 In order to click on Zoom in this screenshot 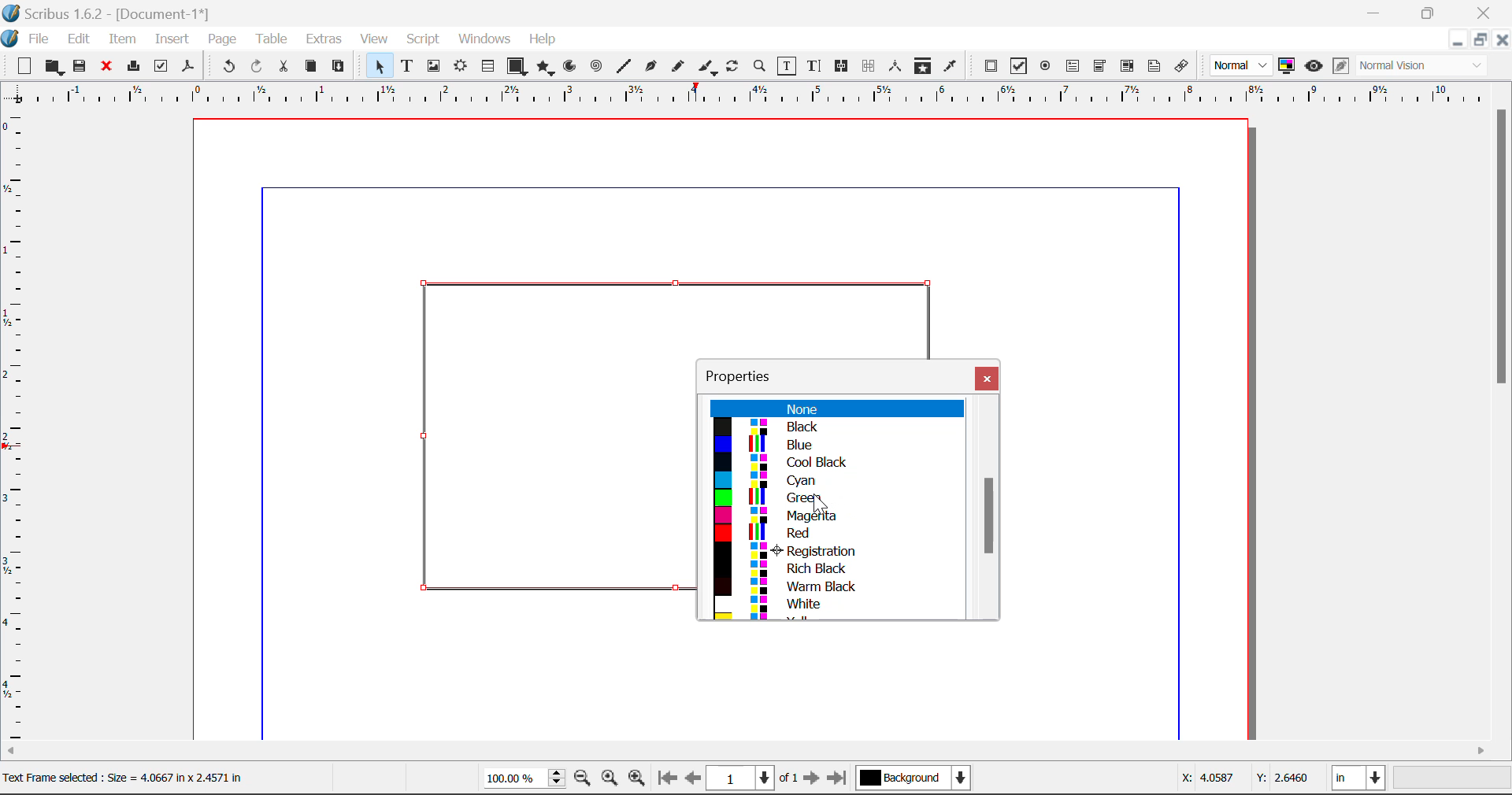, I will do `click(761, 65)`.